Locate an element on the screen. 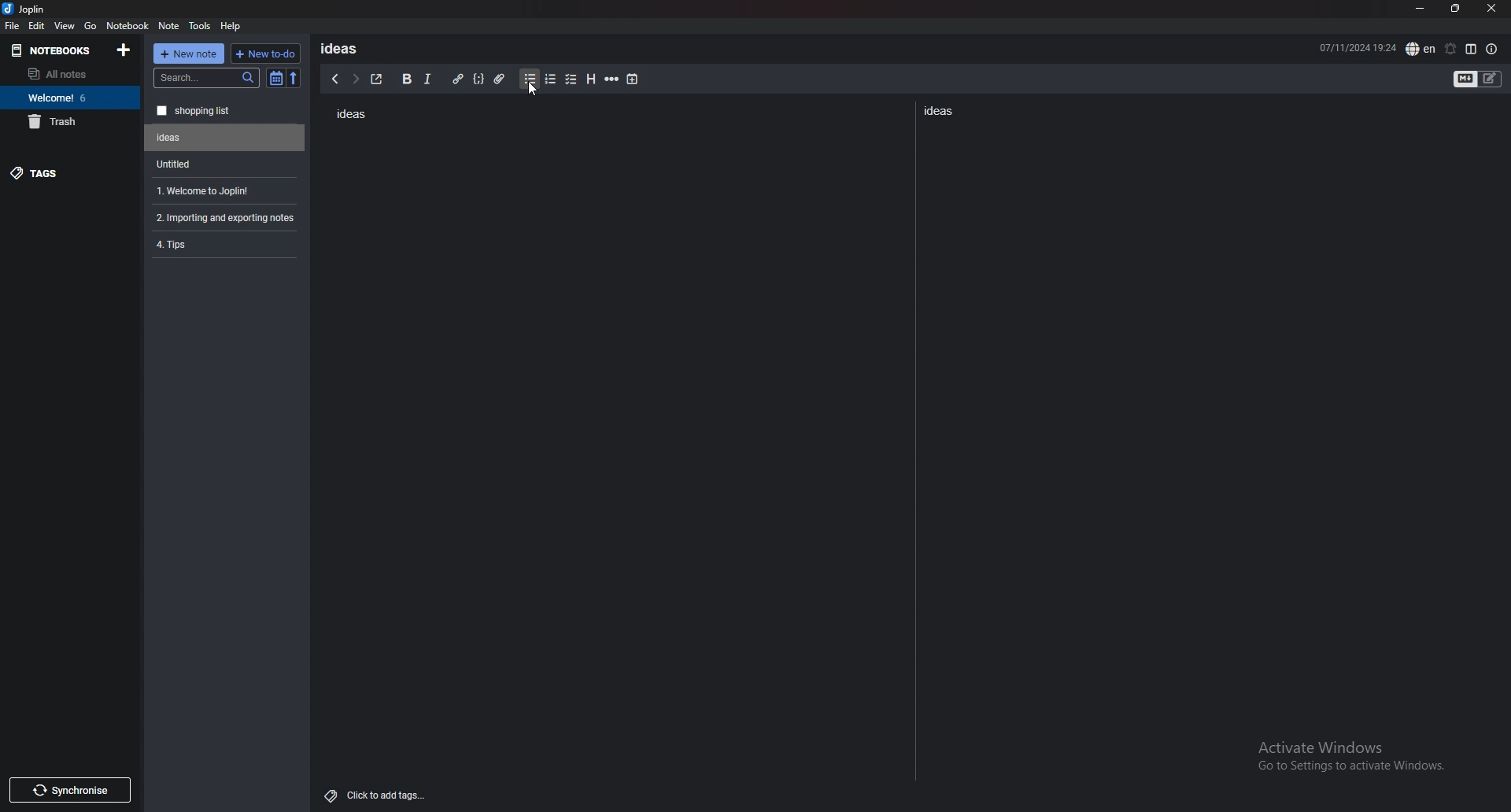 Image resolution: width=1511 pixels, height=812 pixels. minimize is located at coordinates (1420, 9).